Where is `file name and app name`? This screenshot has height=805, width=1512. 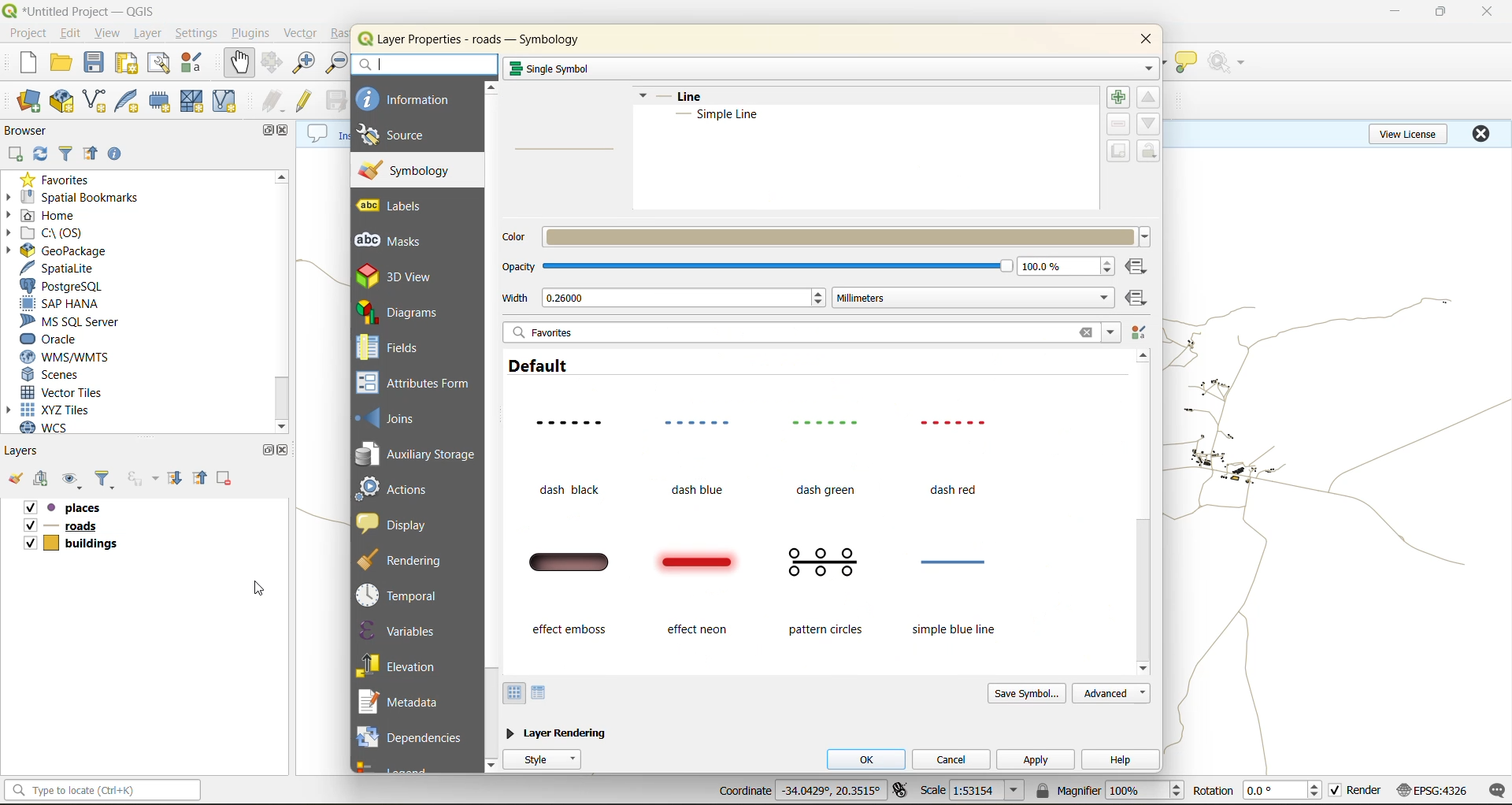
file name and app name is located at coordinates (84, 10).